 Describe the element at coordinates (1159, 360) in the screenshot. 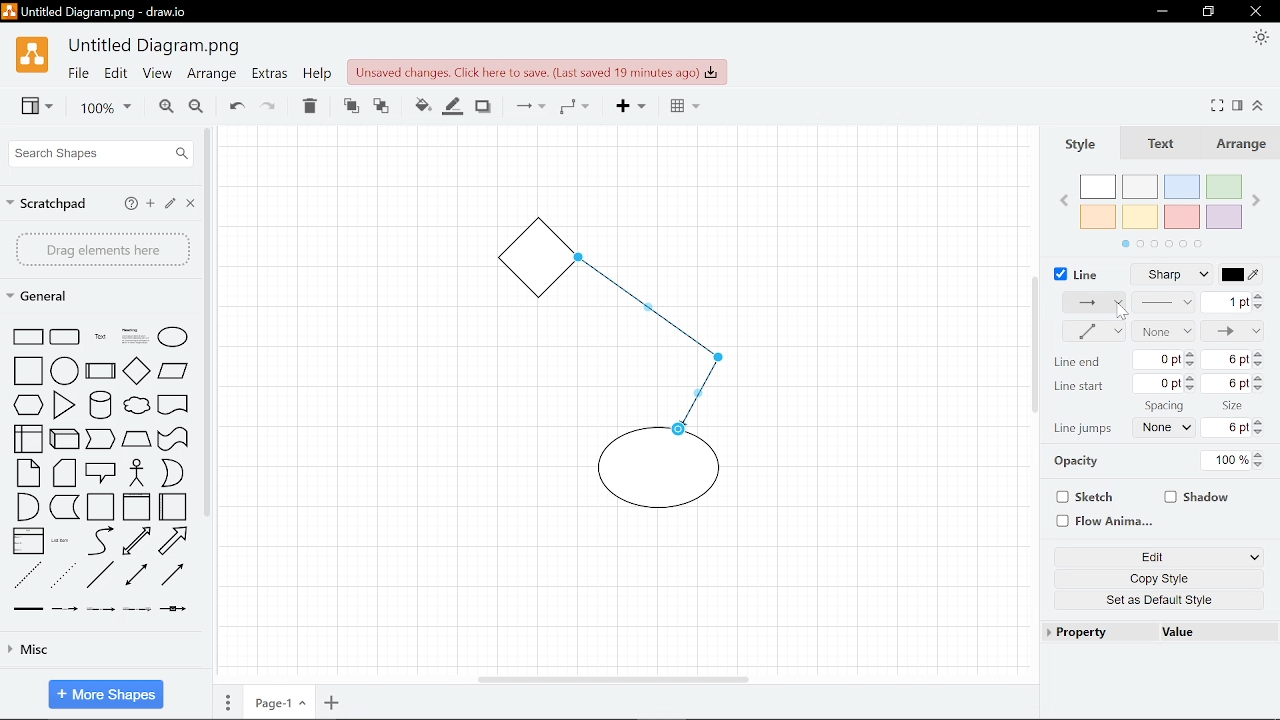

I see `Line end spacing` at that location.